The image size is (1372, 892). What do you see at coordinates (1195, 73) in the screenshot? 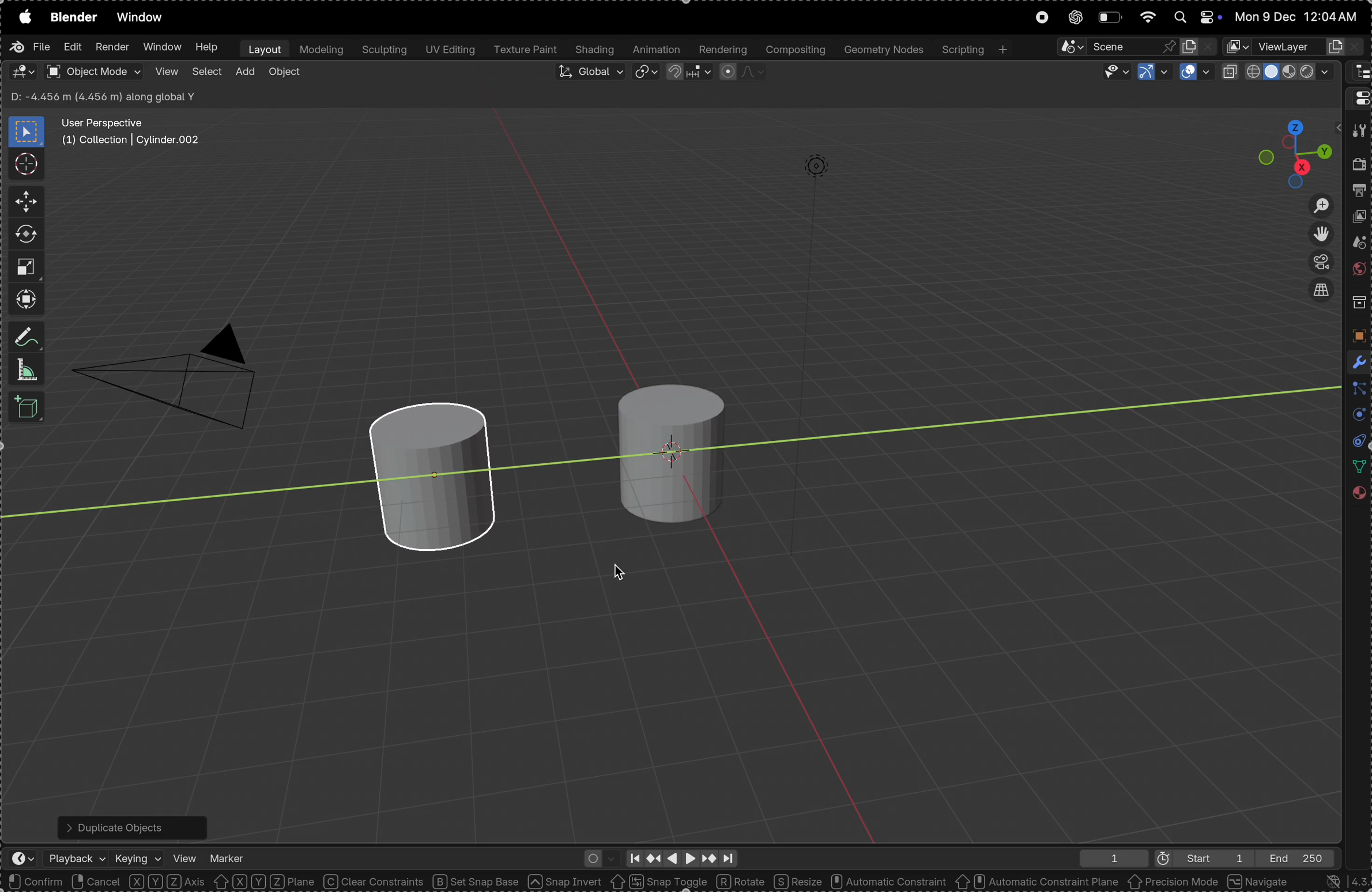
I see `show overlays` at bounding box center [1195, 73].